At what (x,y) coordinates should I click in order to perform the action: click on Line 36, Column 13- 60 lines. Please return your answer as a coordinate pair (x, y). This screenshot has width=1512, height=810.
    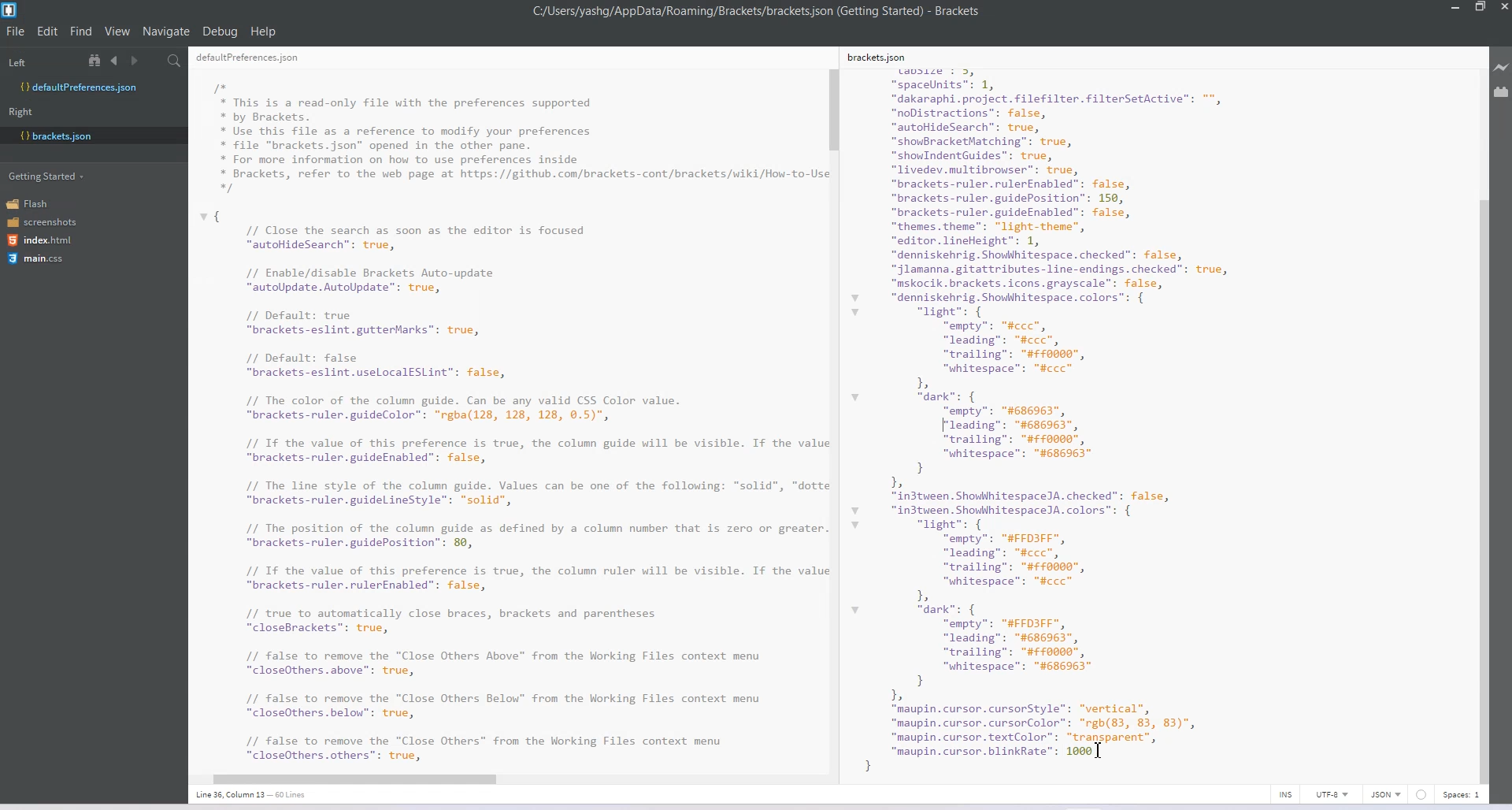
    Looking at the image, I should click on (259, 795).